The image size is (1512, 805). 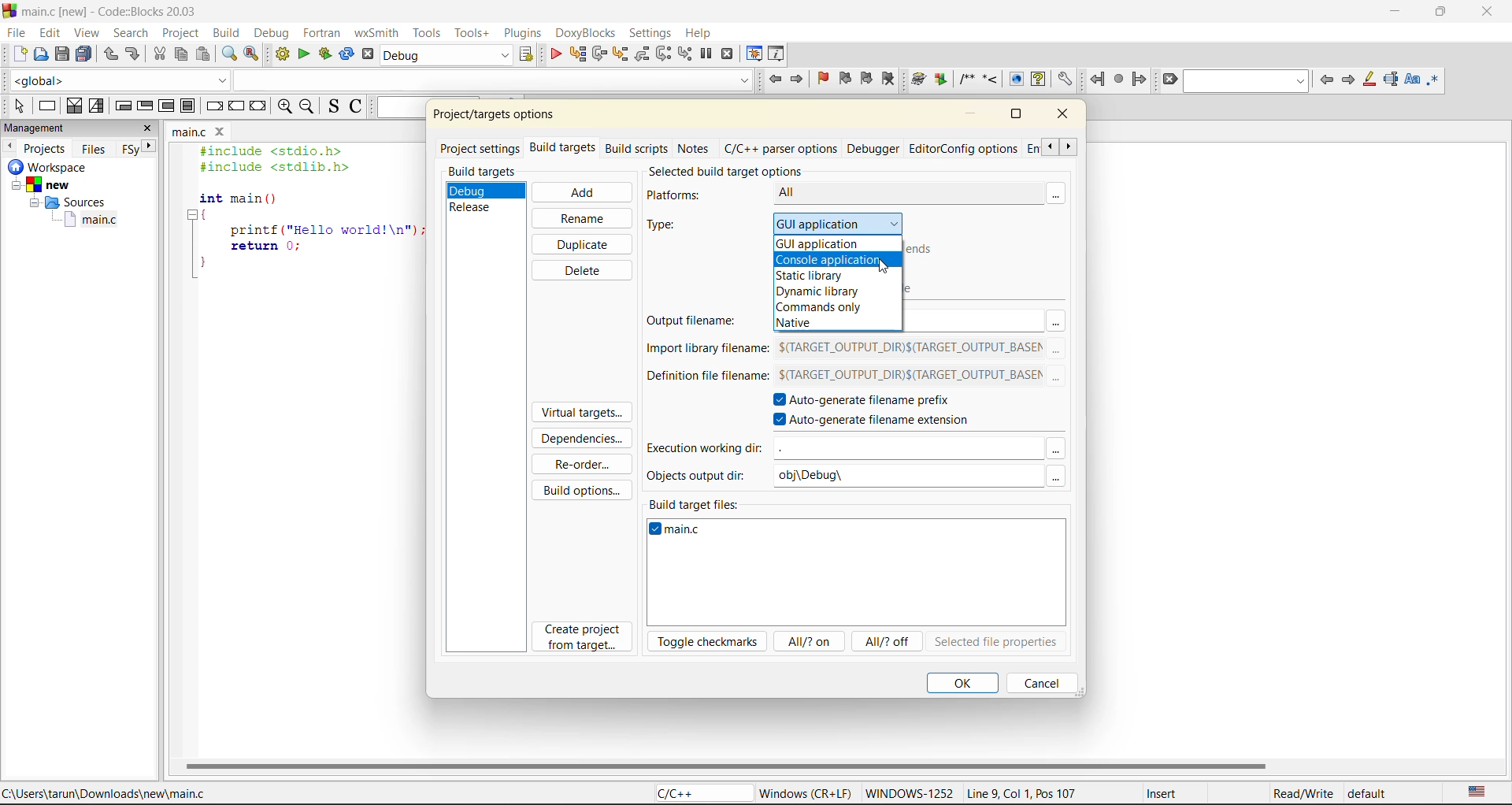 What do you see at coordinates (905, 447) in the screenshot?
I see `` at bounding box center [905, 447].